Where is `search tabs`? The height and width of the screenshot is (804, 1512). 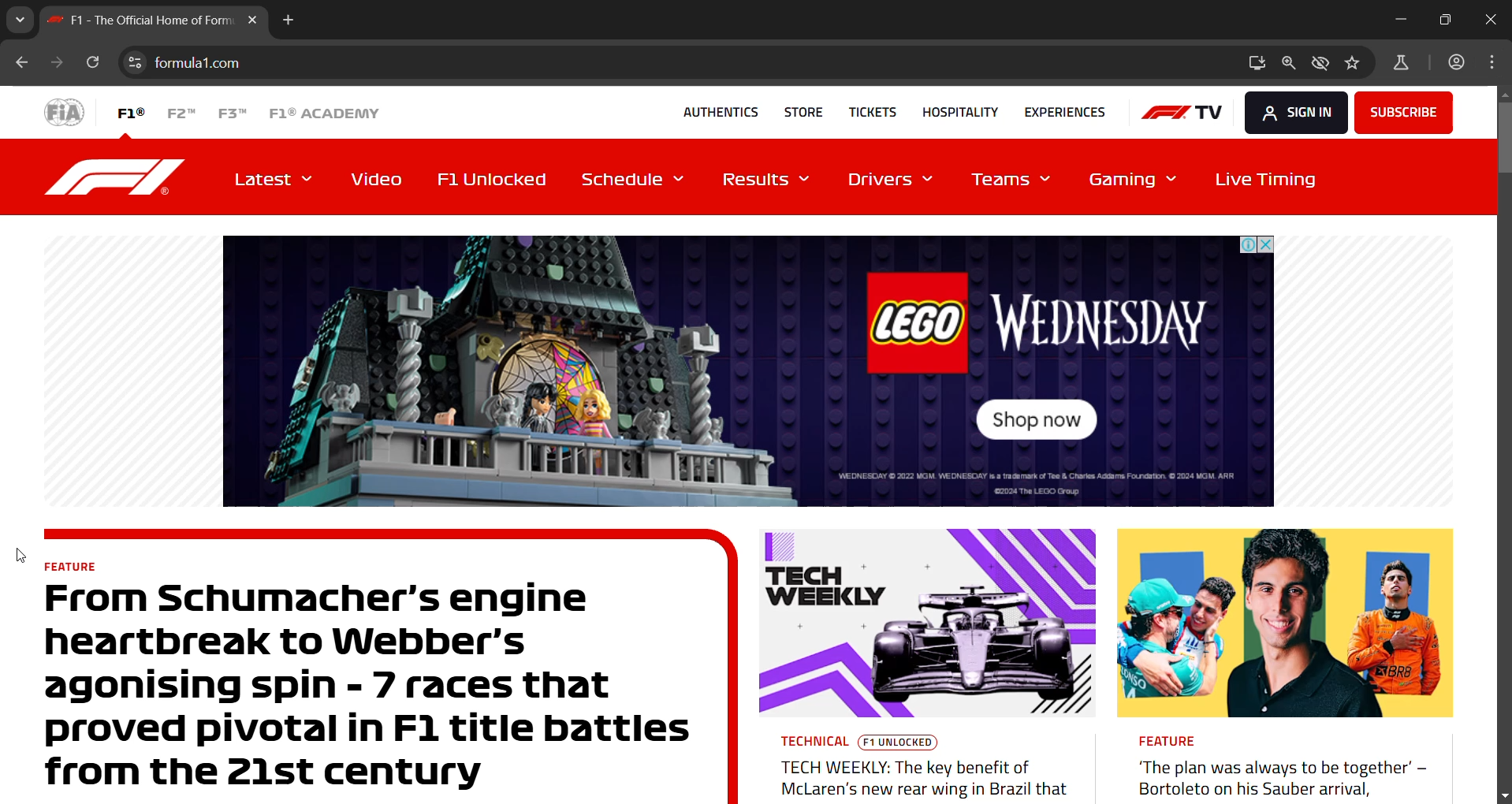 search tabs is located at coordinates (19, 17).